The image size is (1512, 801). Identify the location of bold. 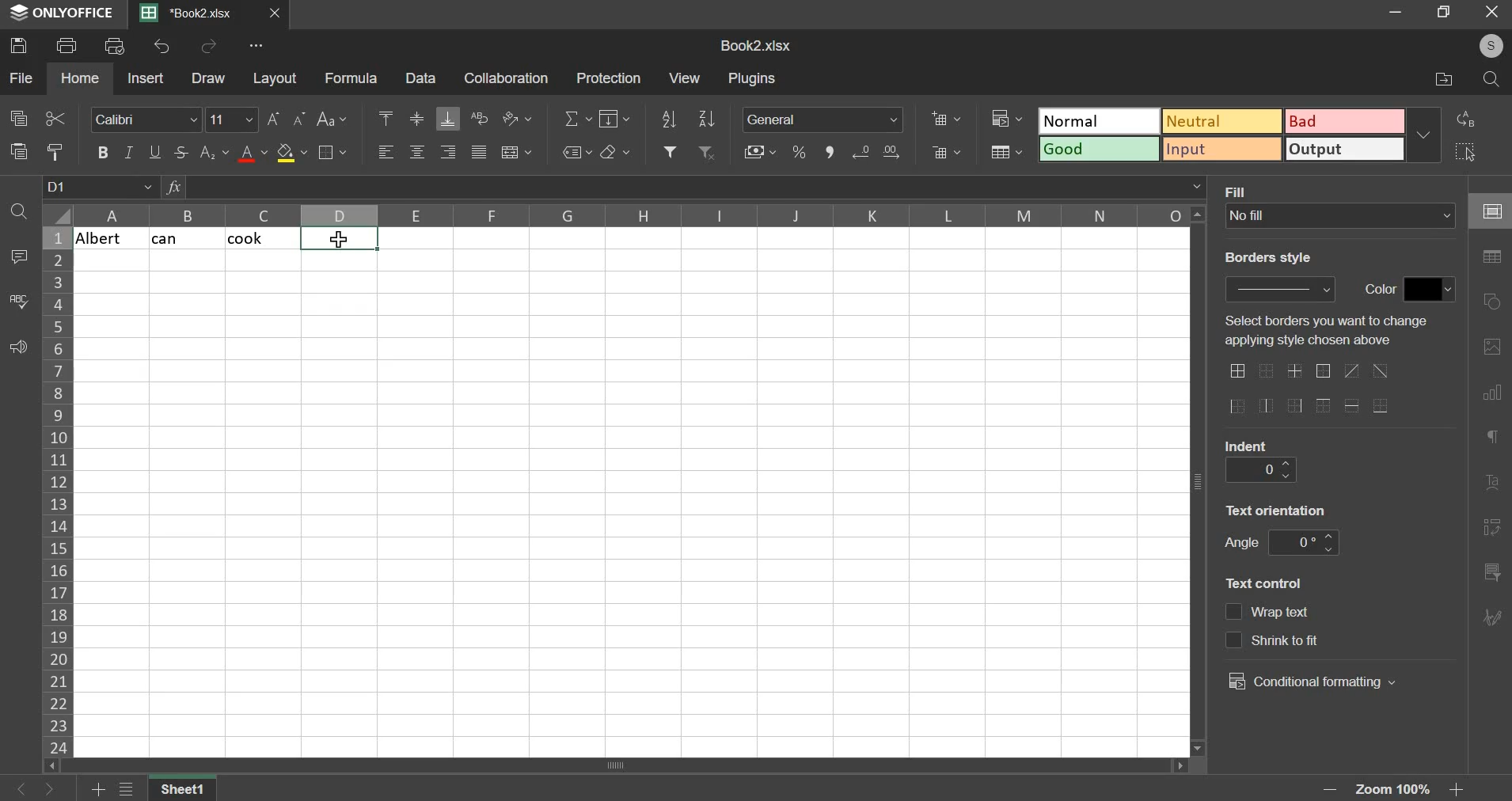
(101, 152).